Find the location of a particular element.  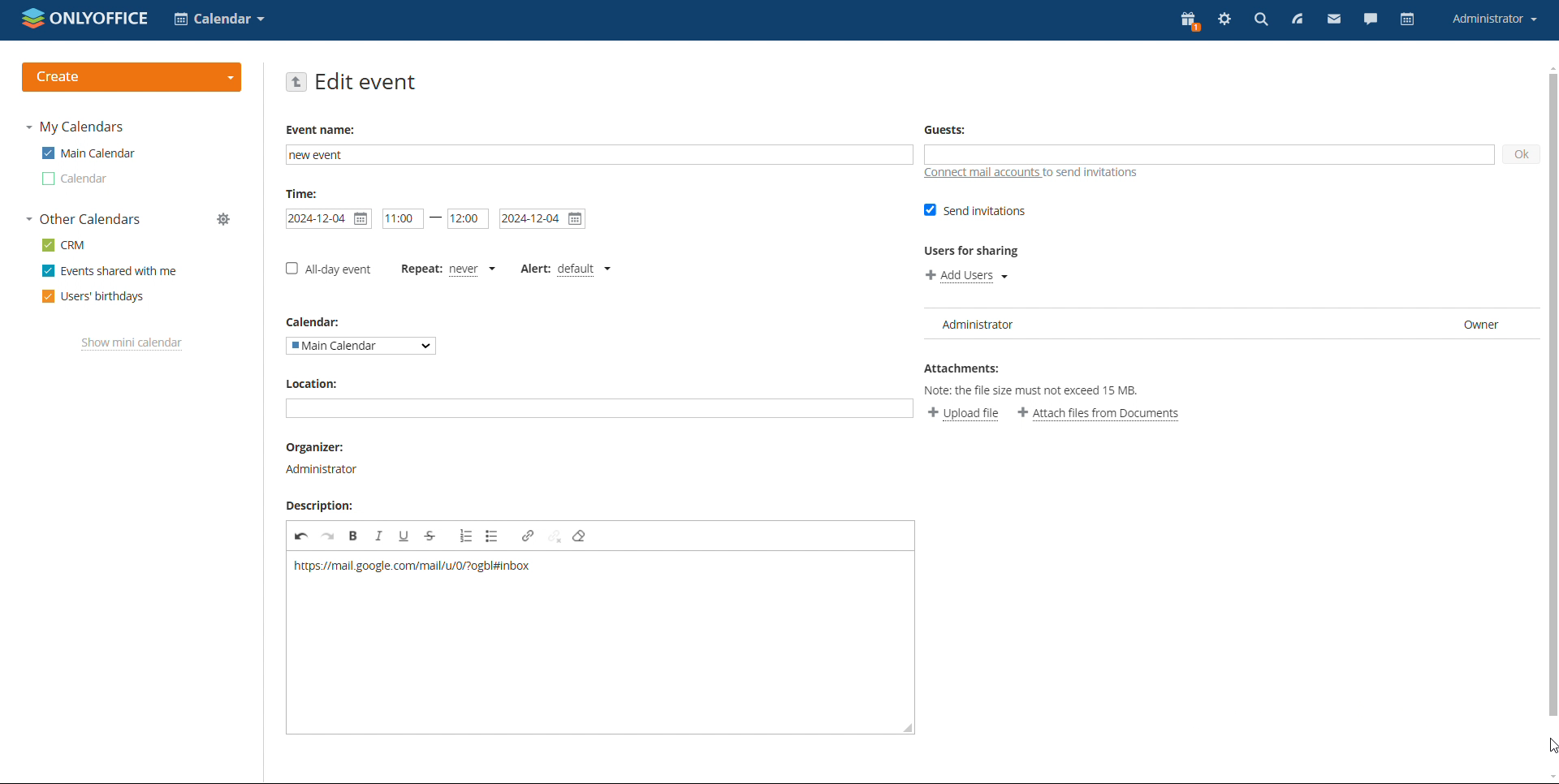

start date is located at coordinates (403, 218).